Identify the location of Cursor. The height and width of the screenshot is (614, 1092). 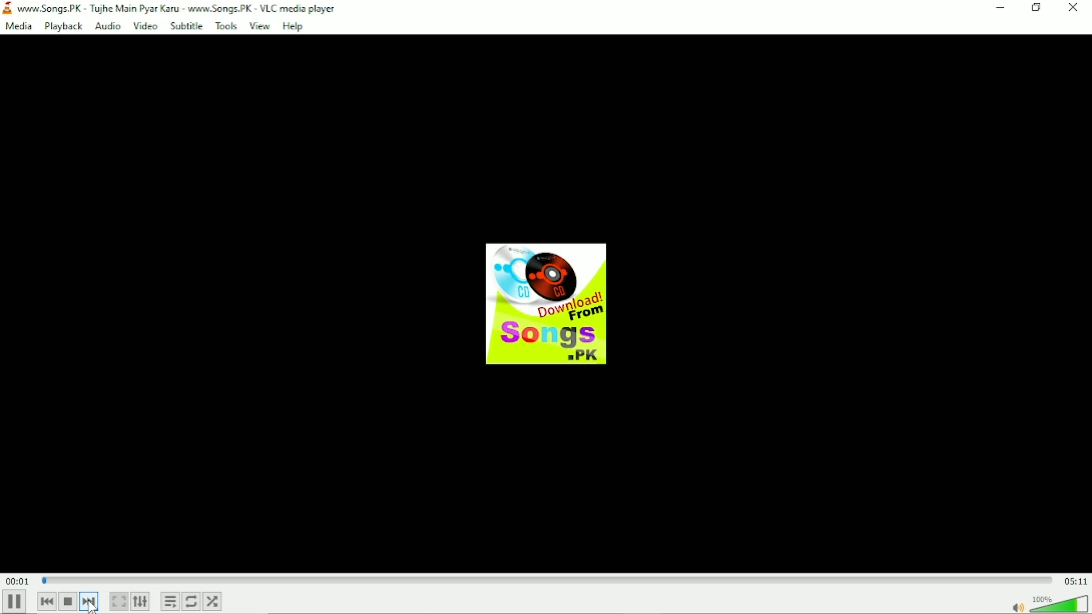
(89, 607).